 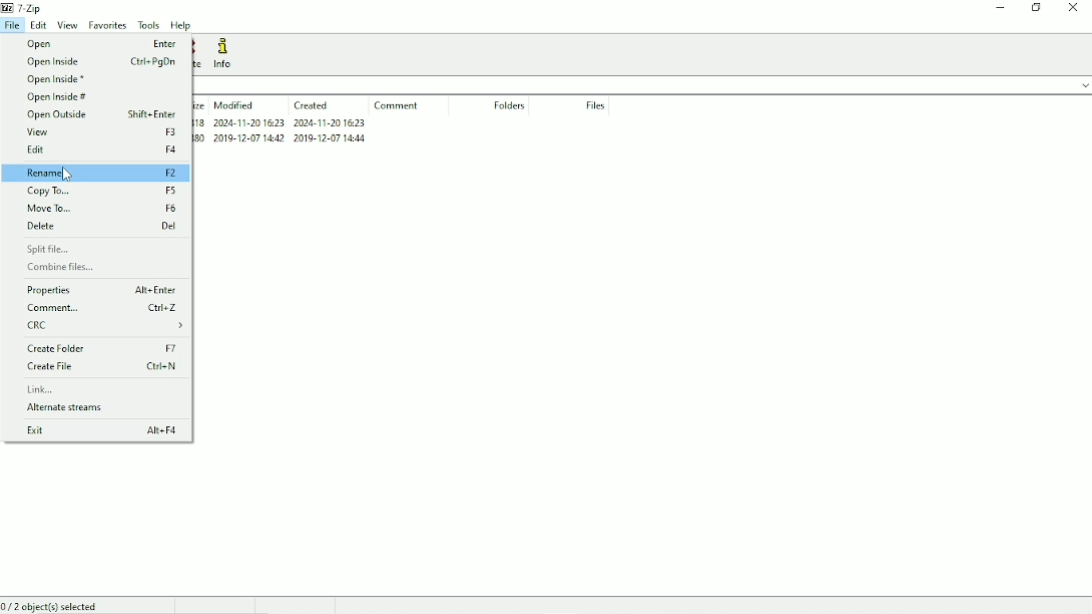 I want to click on Properties, so click(x=100, y=291).